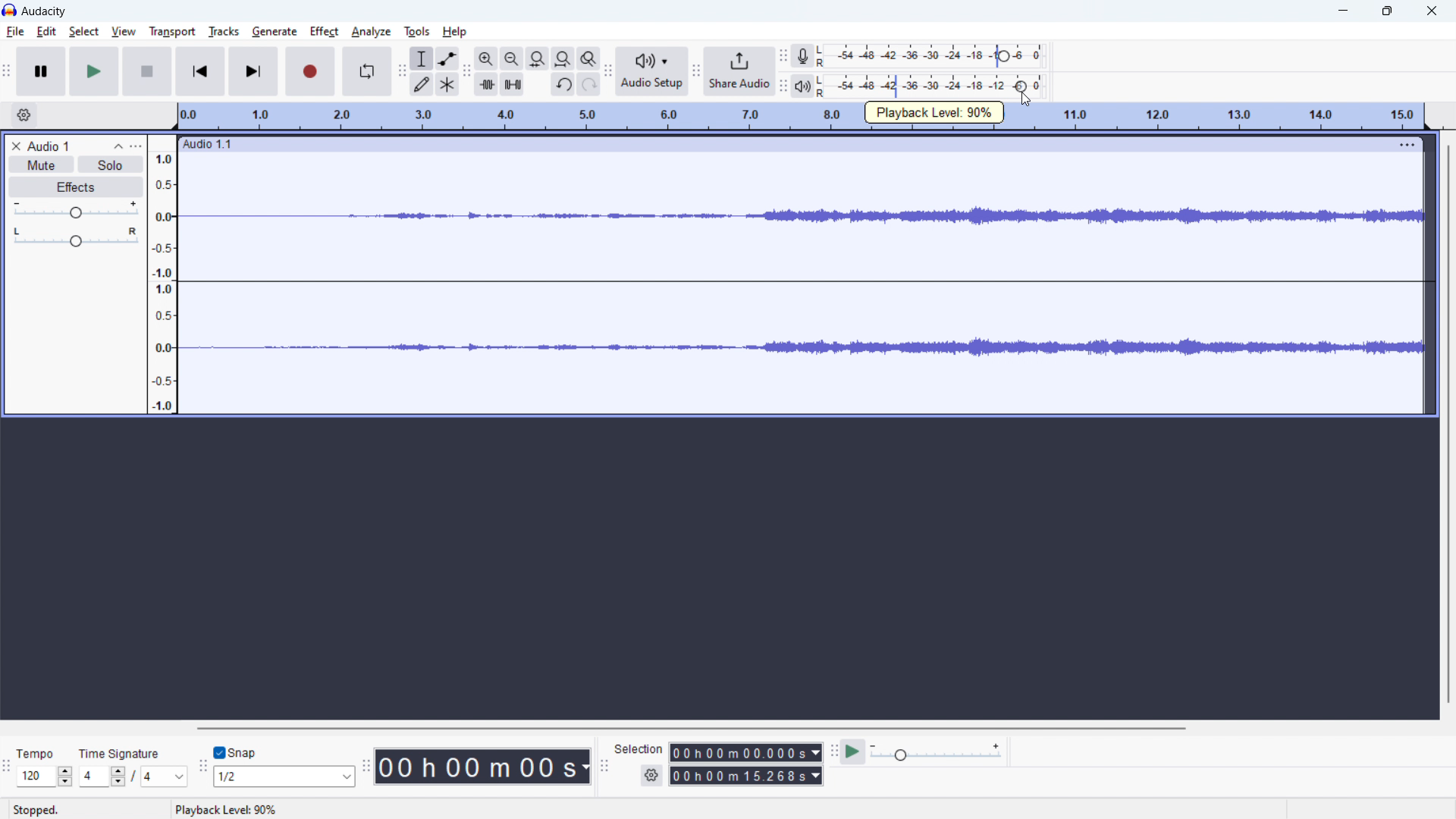 The width and height of the screenshot is (1456, 819). Describe the element at coordinates (853, 752) in the screenshot. I see `play at speed` at that location.